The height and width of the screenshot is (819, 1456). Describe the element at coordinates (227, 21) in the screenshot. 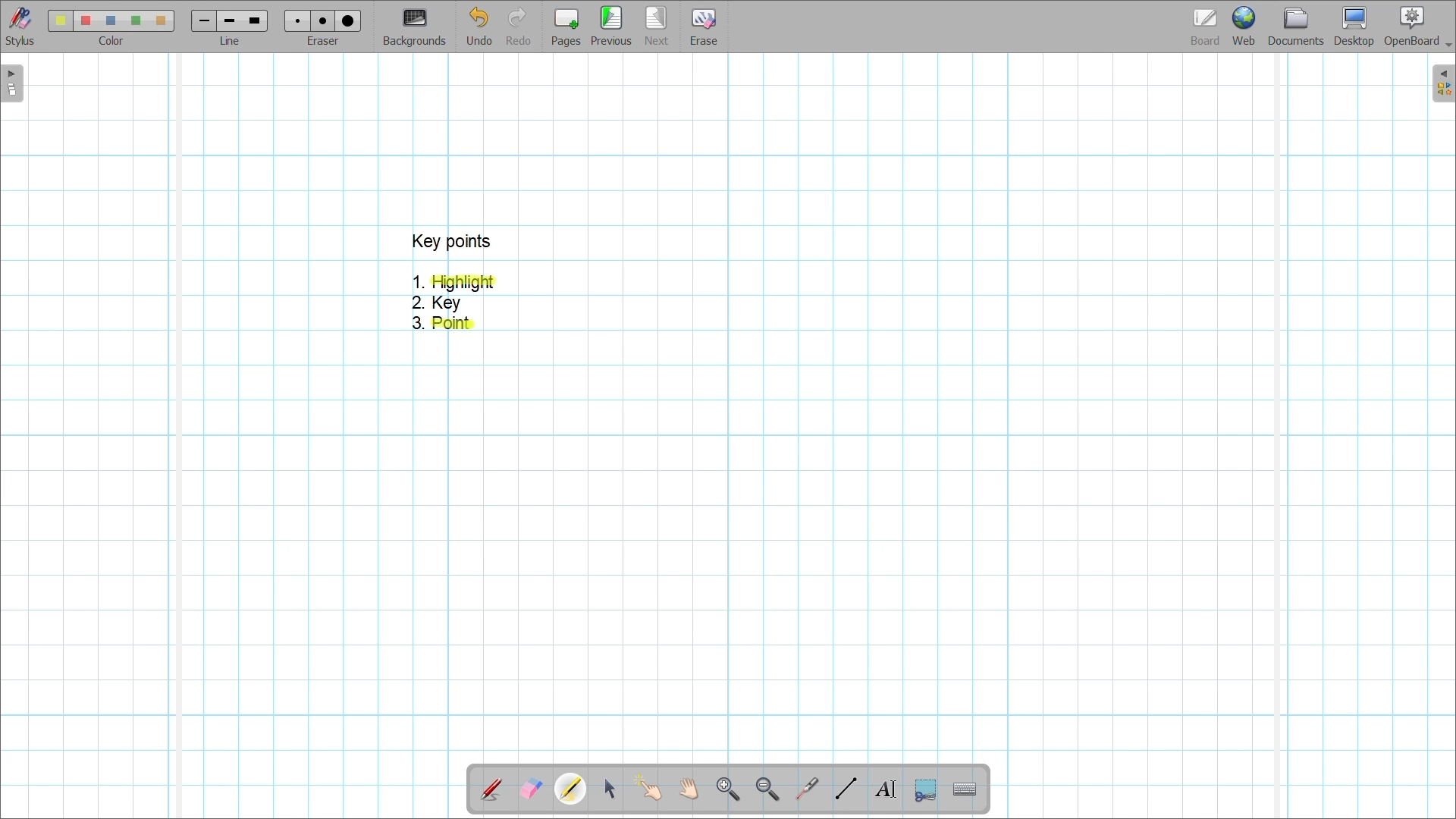

I see `line 2` at that location.